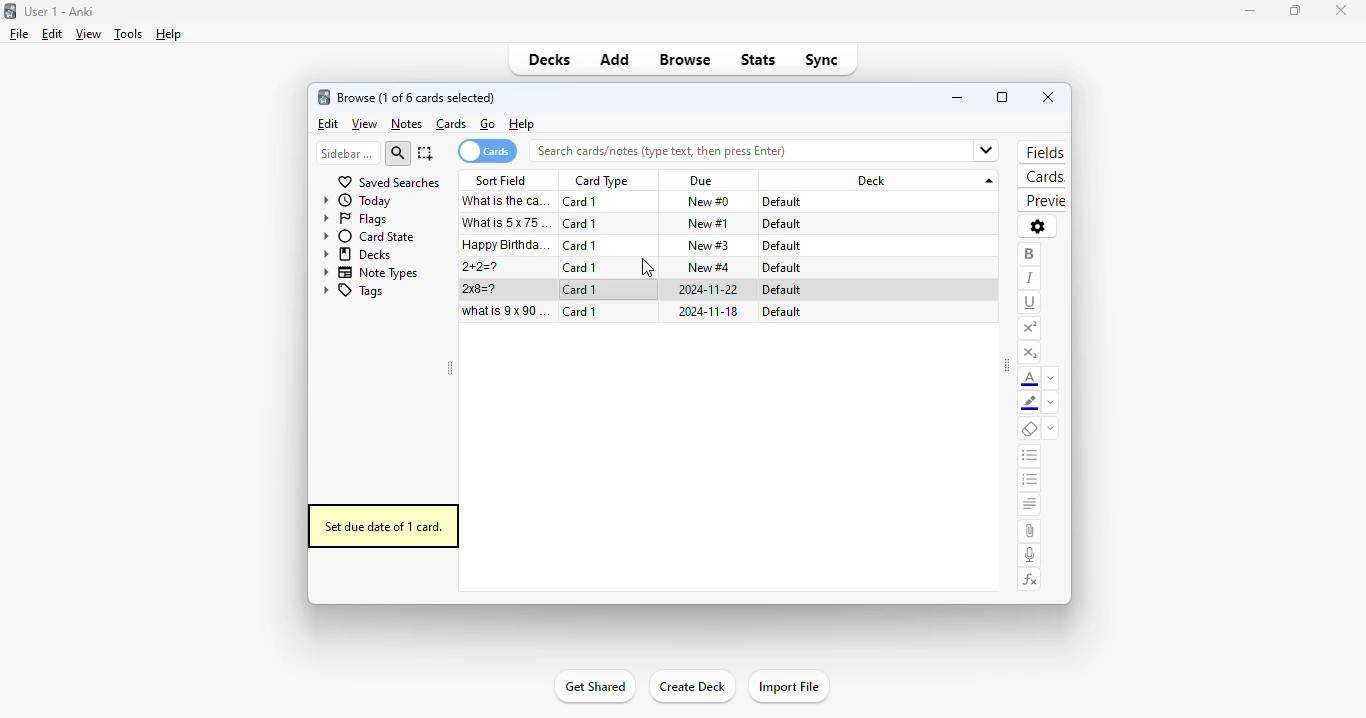 This screenshot has width=1366, height=718. What do you see at coordinates (614, 61) in the screenshot?
I see `add` at bounding box center [614, 61].